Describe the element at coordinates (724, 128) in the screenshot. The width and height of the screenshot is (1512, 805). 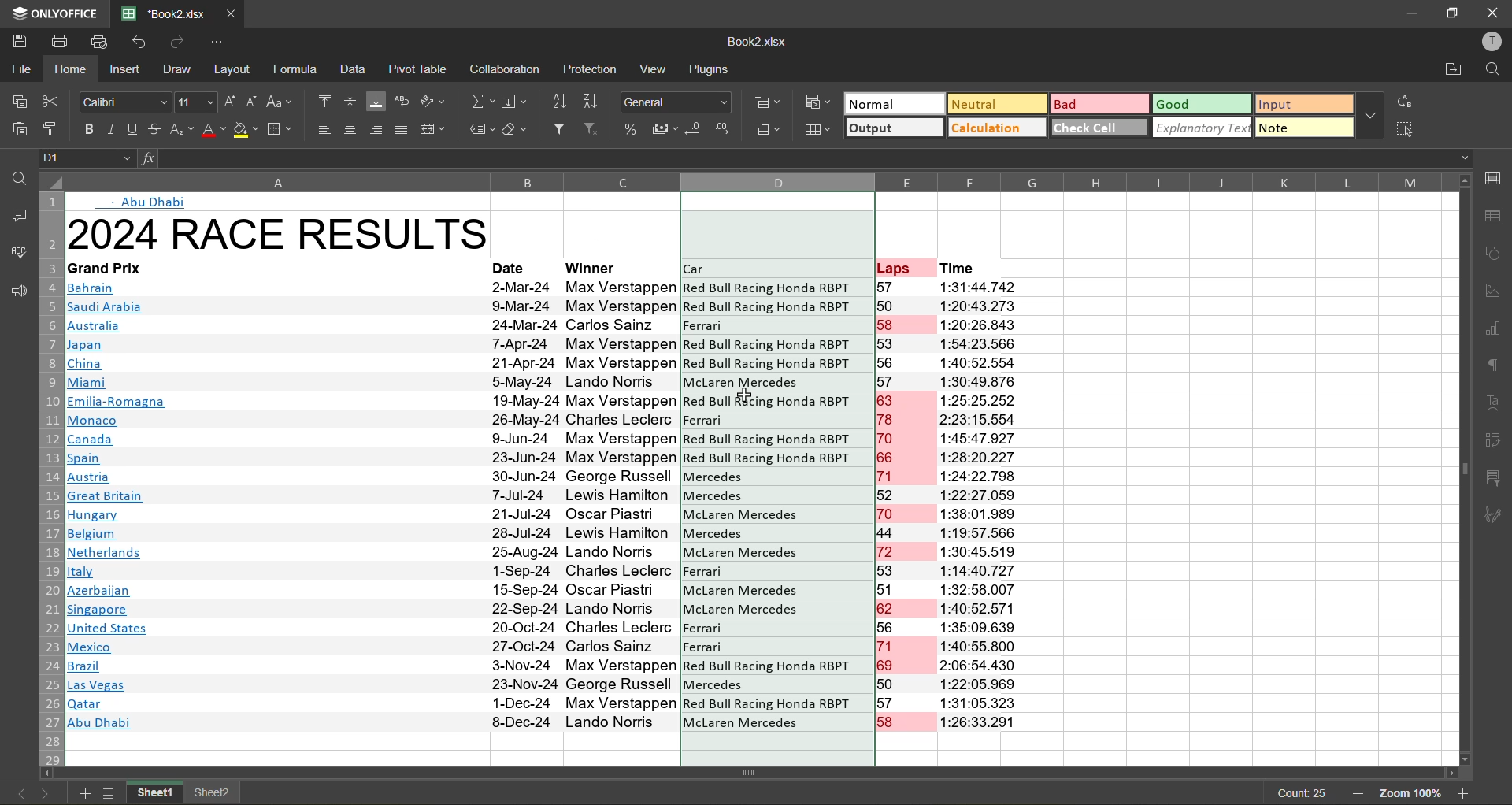
I see `increase decimal` at that location.